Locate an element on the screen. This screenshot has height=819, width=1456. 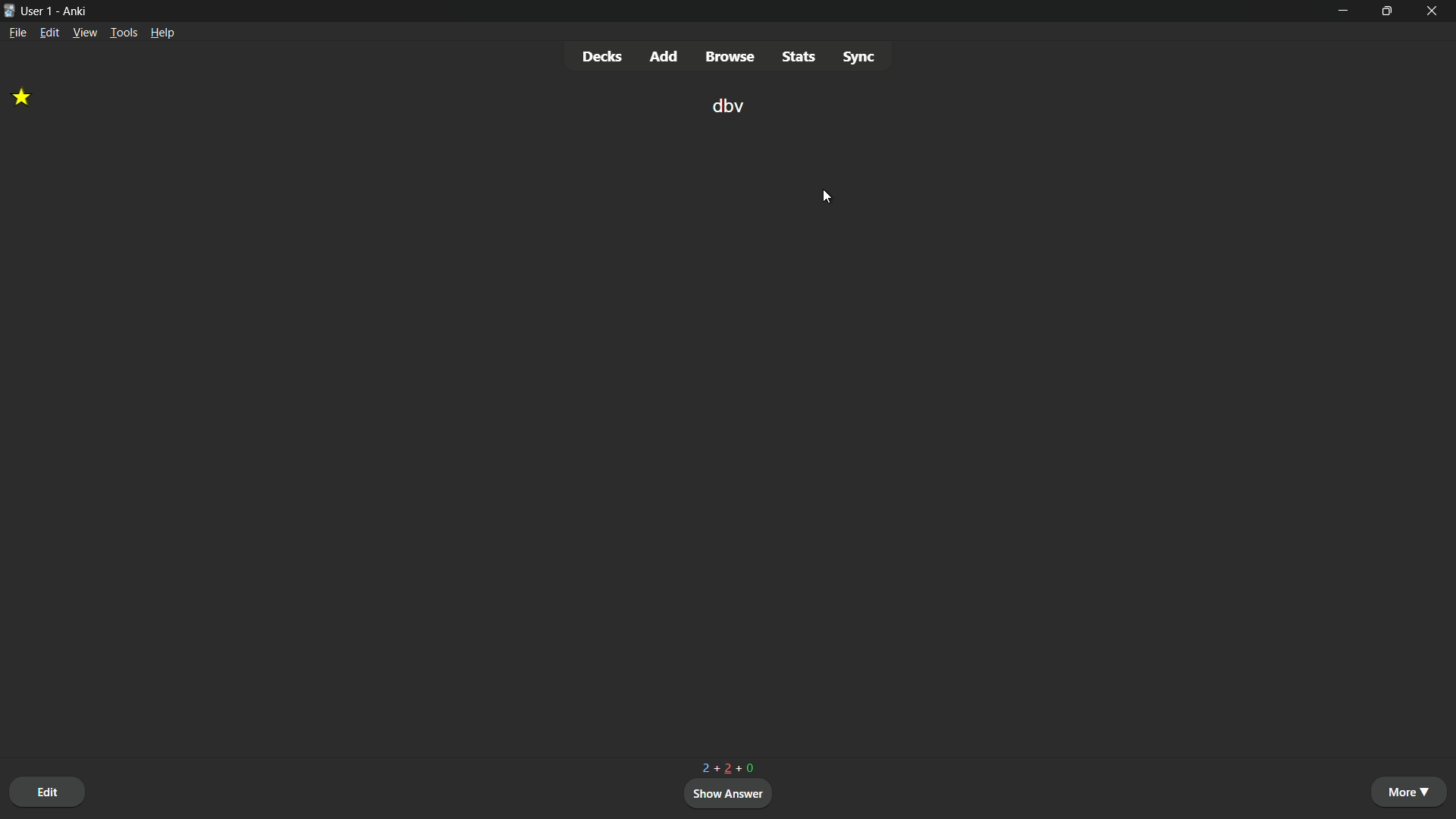
app name is located at coordinates (74, 12).